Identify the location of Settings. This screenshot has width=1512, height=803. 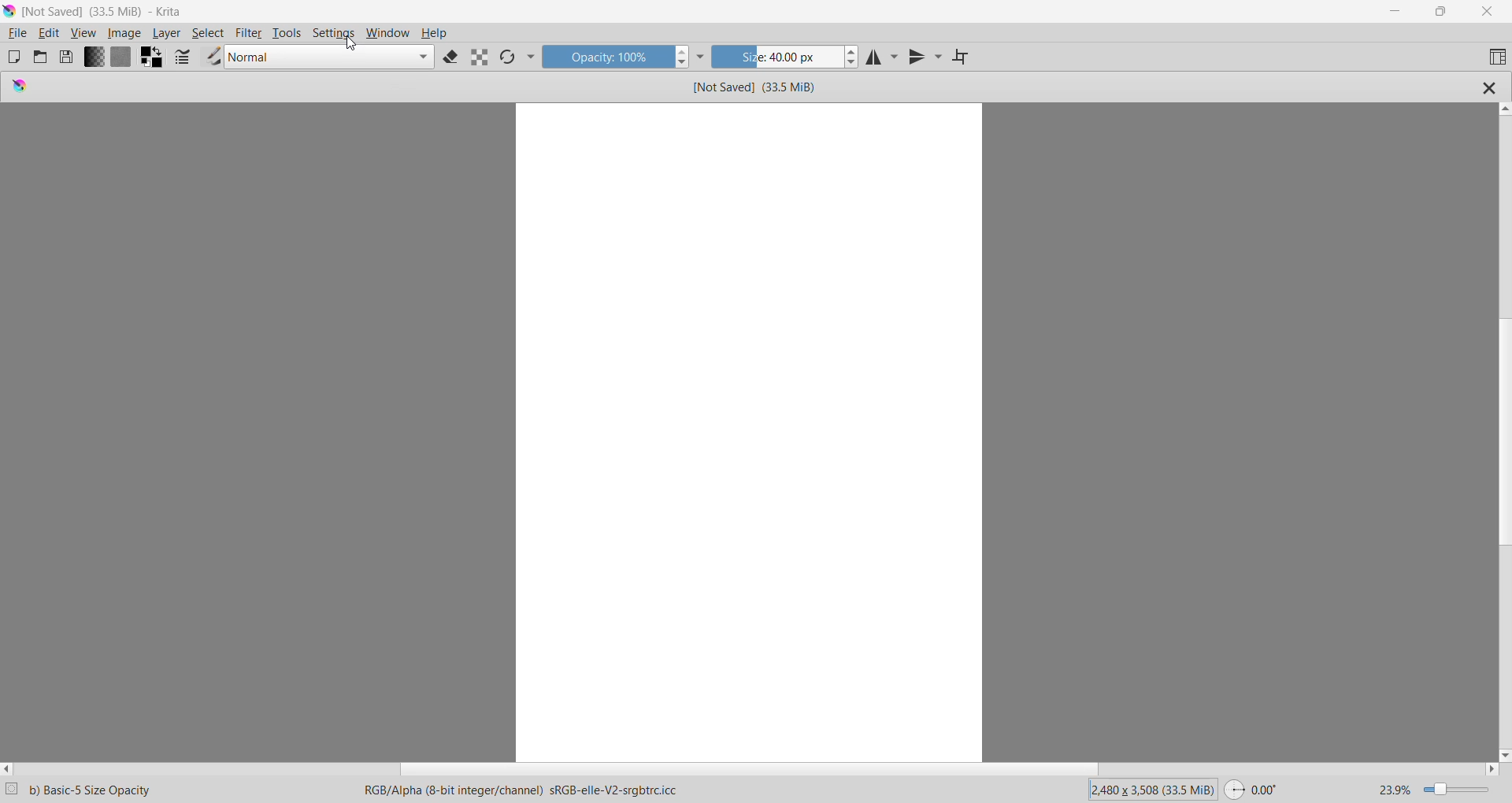
(335, 34).